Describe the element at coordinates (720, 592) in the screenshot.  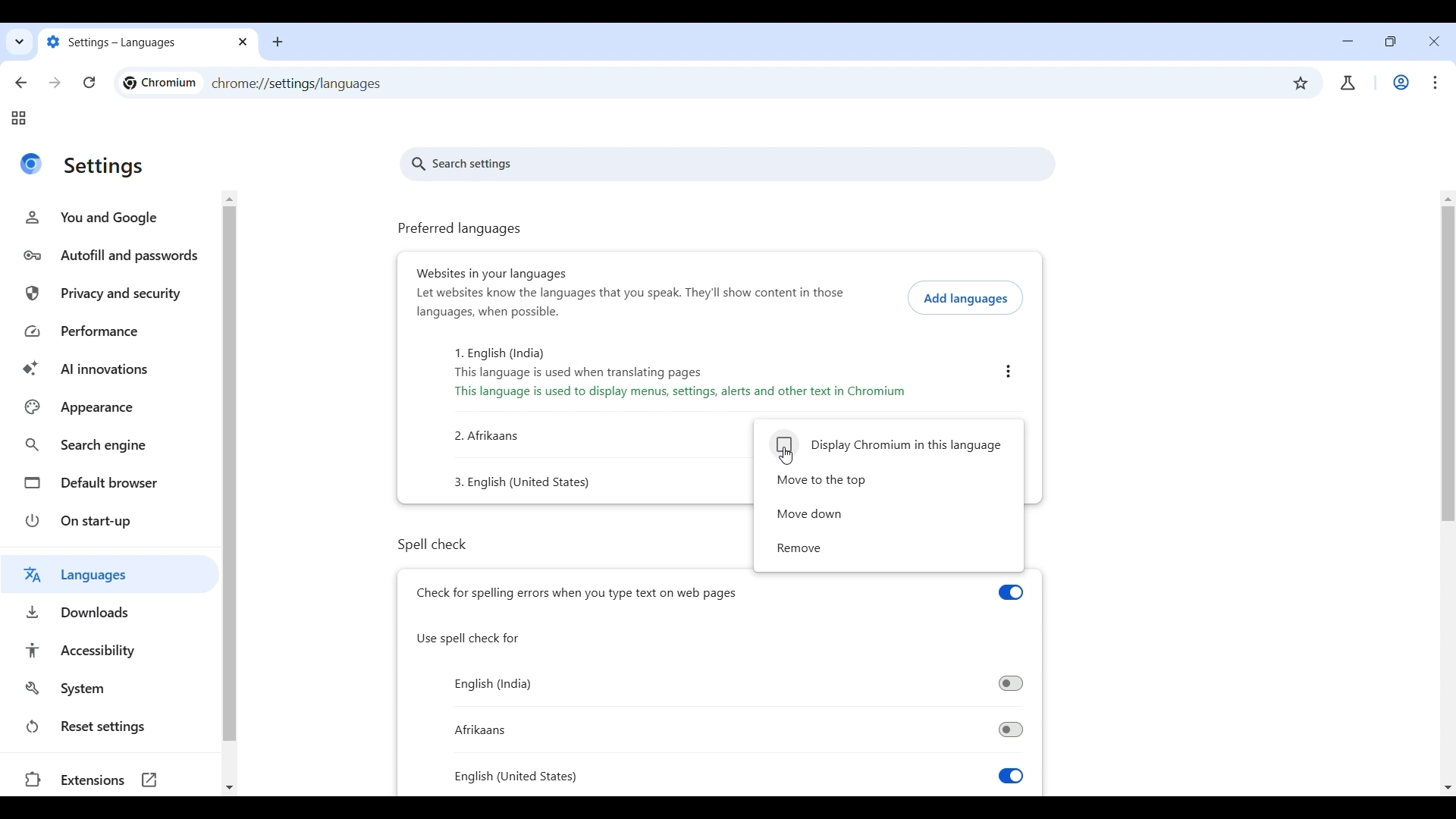
I see `Toggle for spell check by browser` at that location.